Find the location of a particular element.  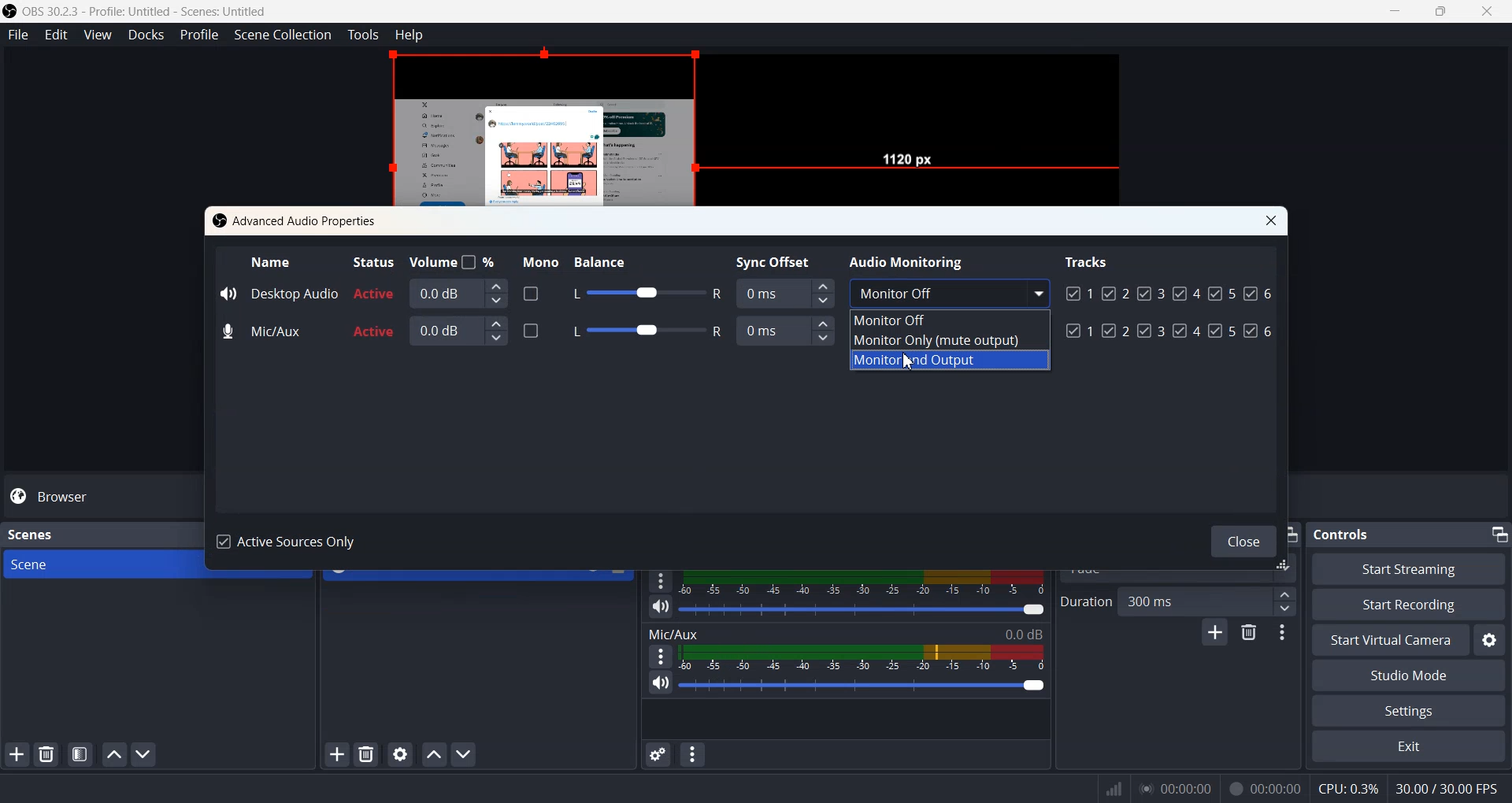

Delete selected sources is located at coordinates (369, 754).